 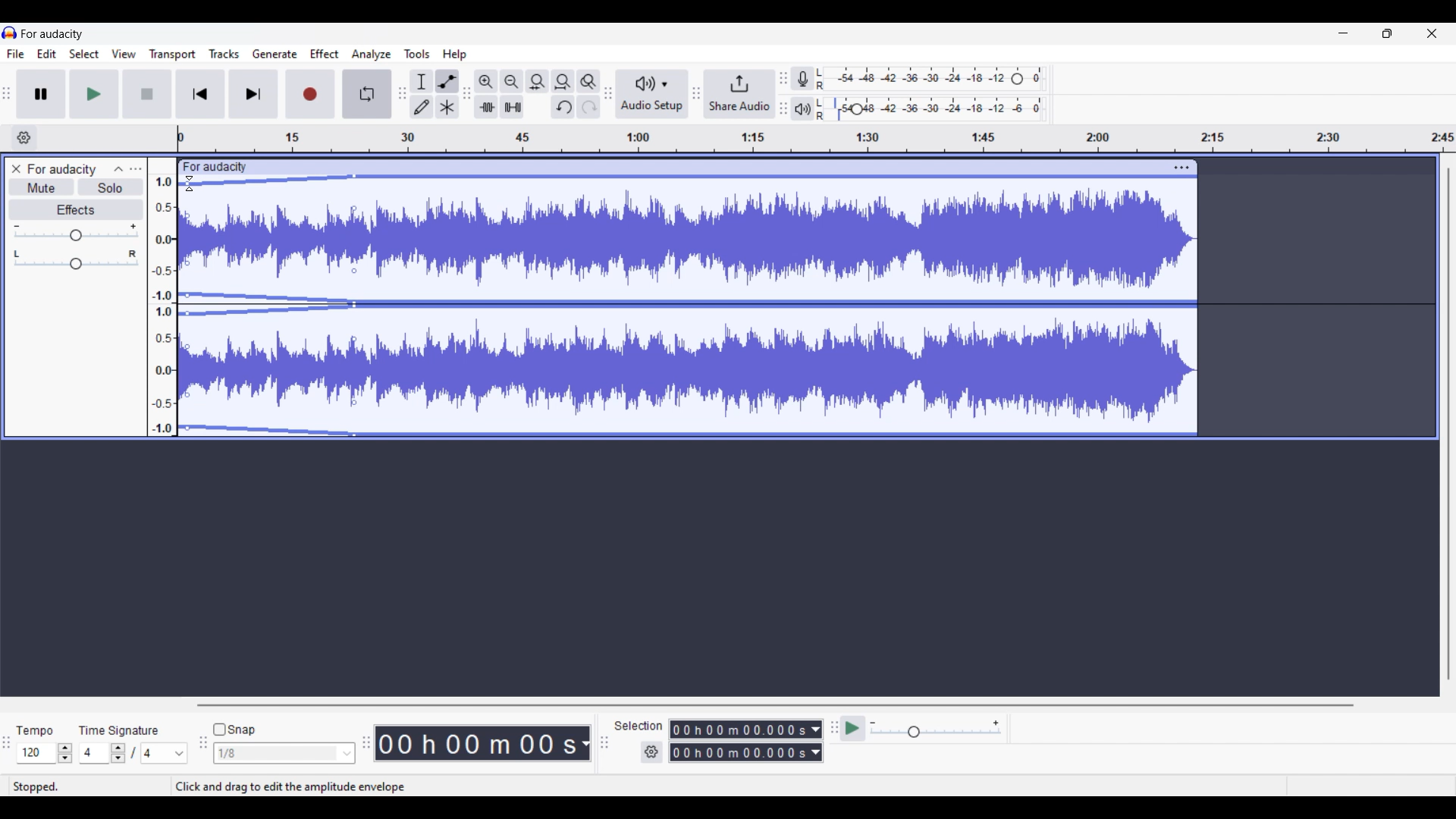 What do you see at coordinates (148, 94) in the screenshot?
I see `Stop` at bounding box center [148, 94].